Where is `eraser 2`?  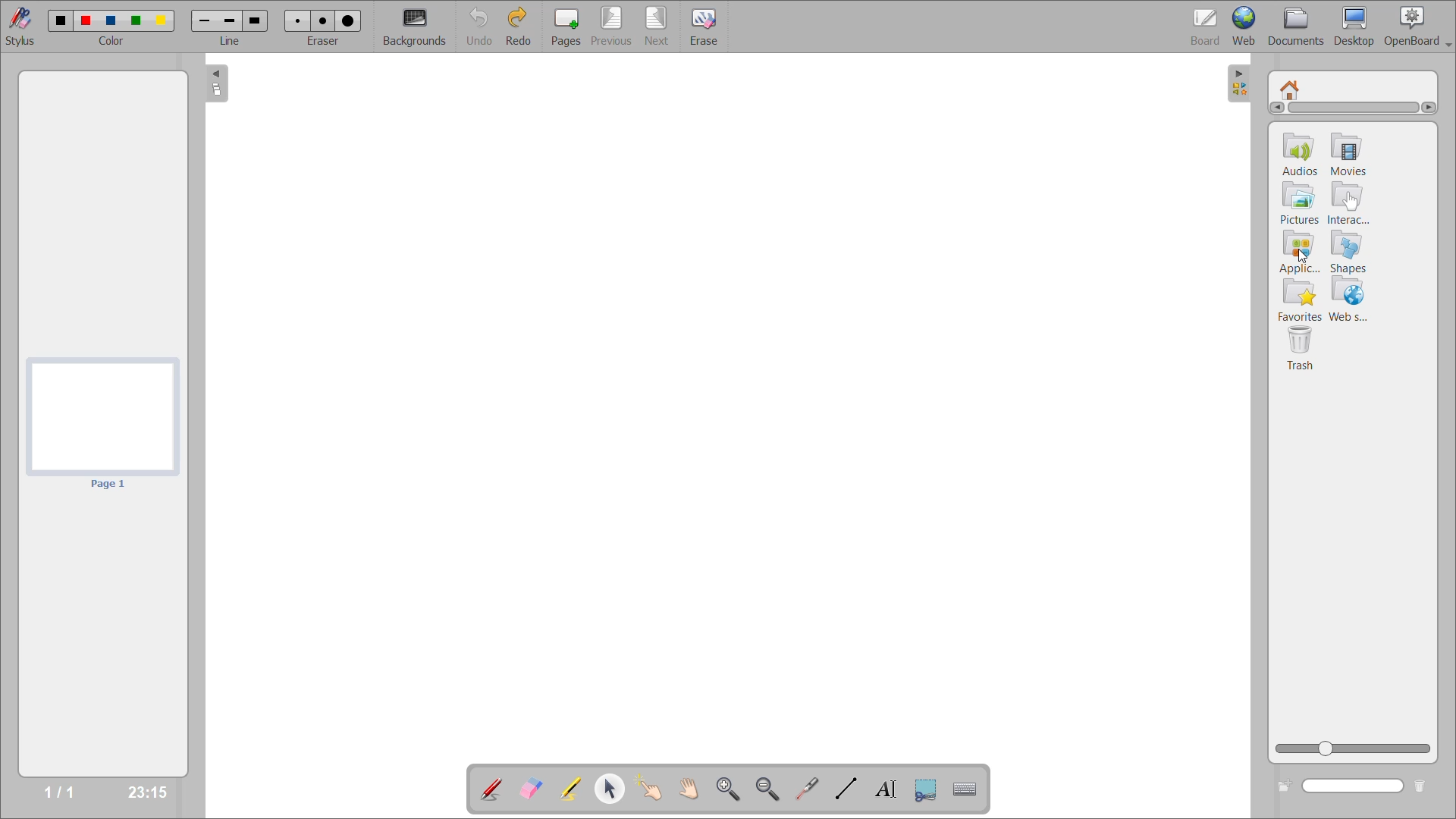
eraser 2 is located at coordinates (323, 20).